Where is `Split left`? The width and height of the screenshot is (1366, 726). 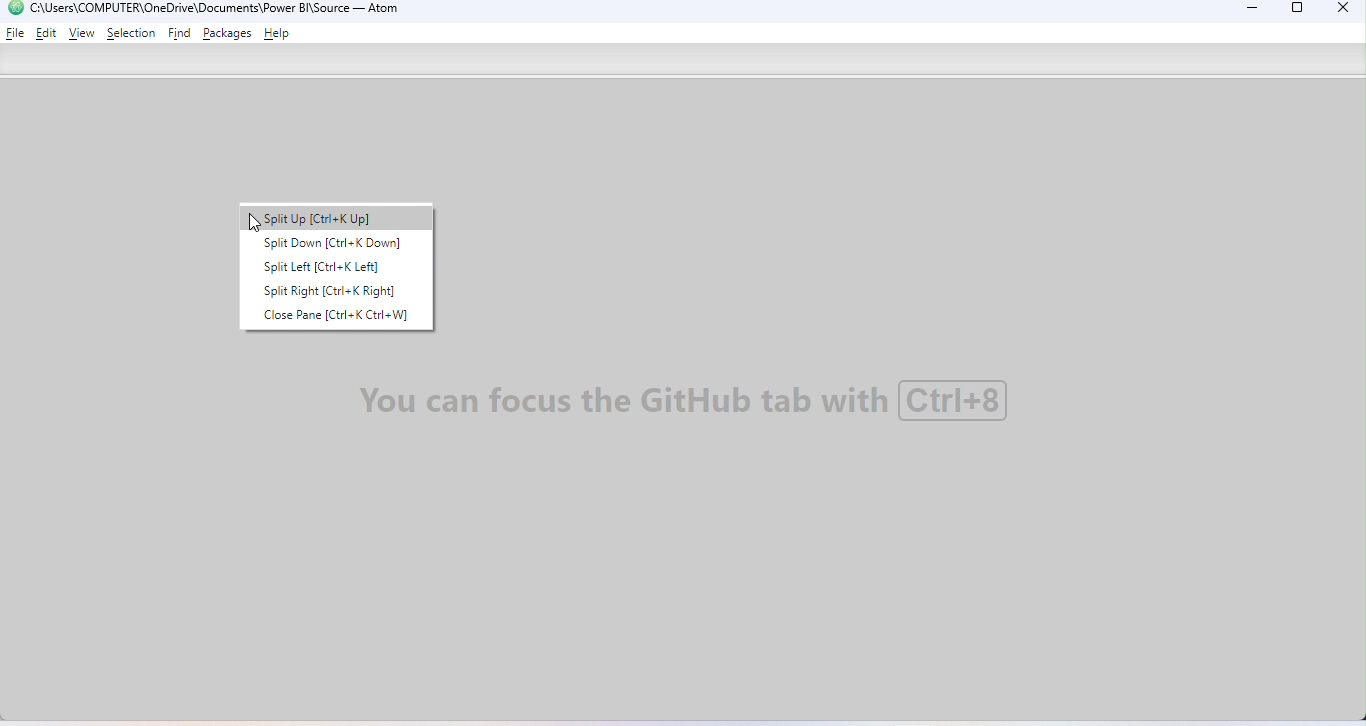 Split left is located at coordinates (327, 269).